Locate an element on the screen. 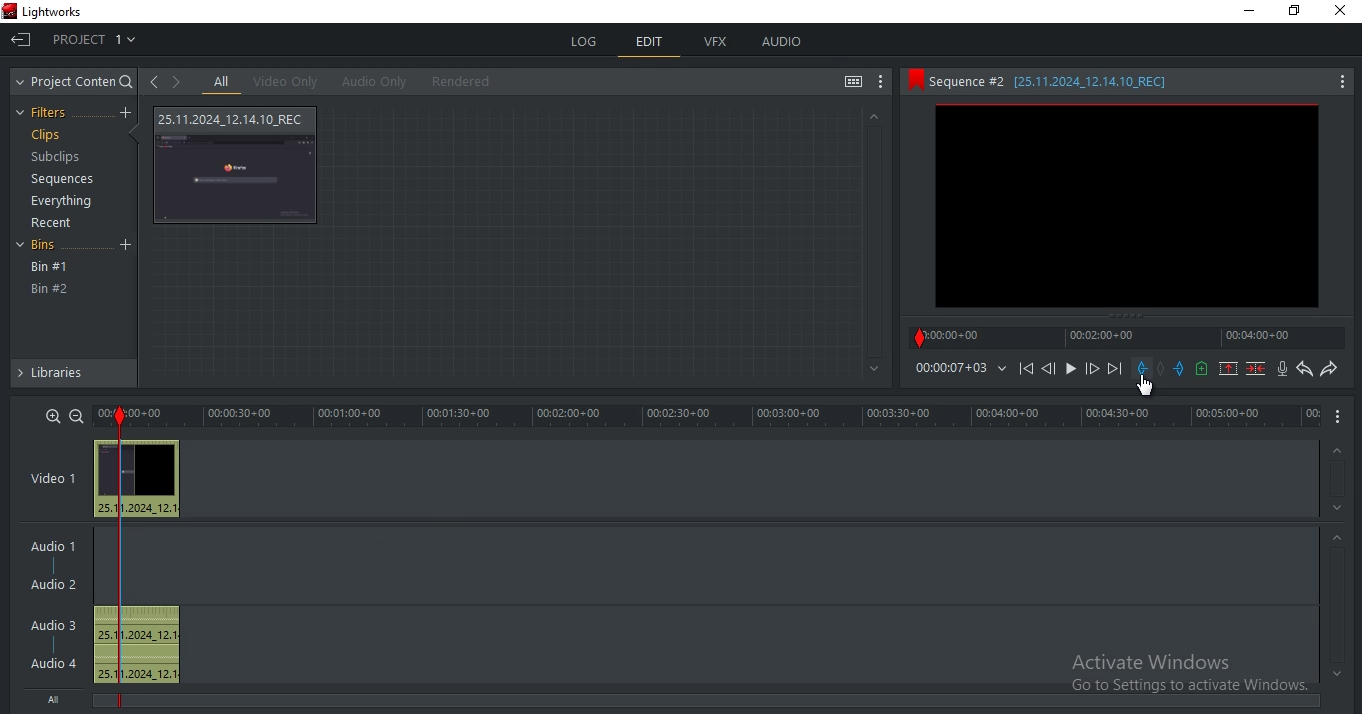 Image resolution: width=1362 pixels, height=714 pixels. Minimize is located at coordinates (1246, 12).